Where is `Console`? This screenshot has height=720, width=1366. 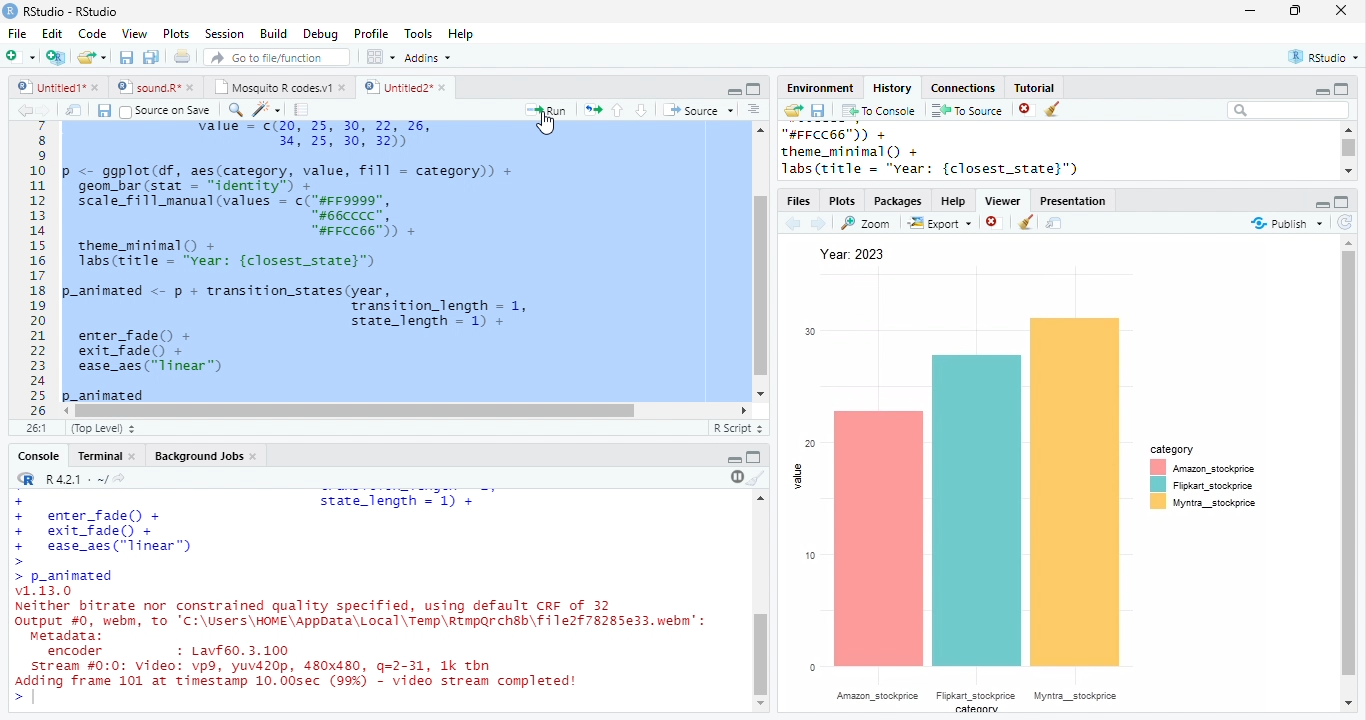 Console is located at coordinates (38, 456).